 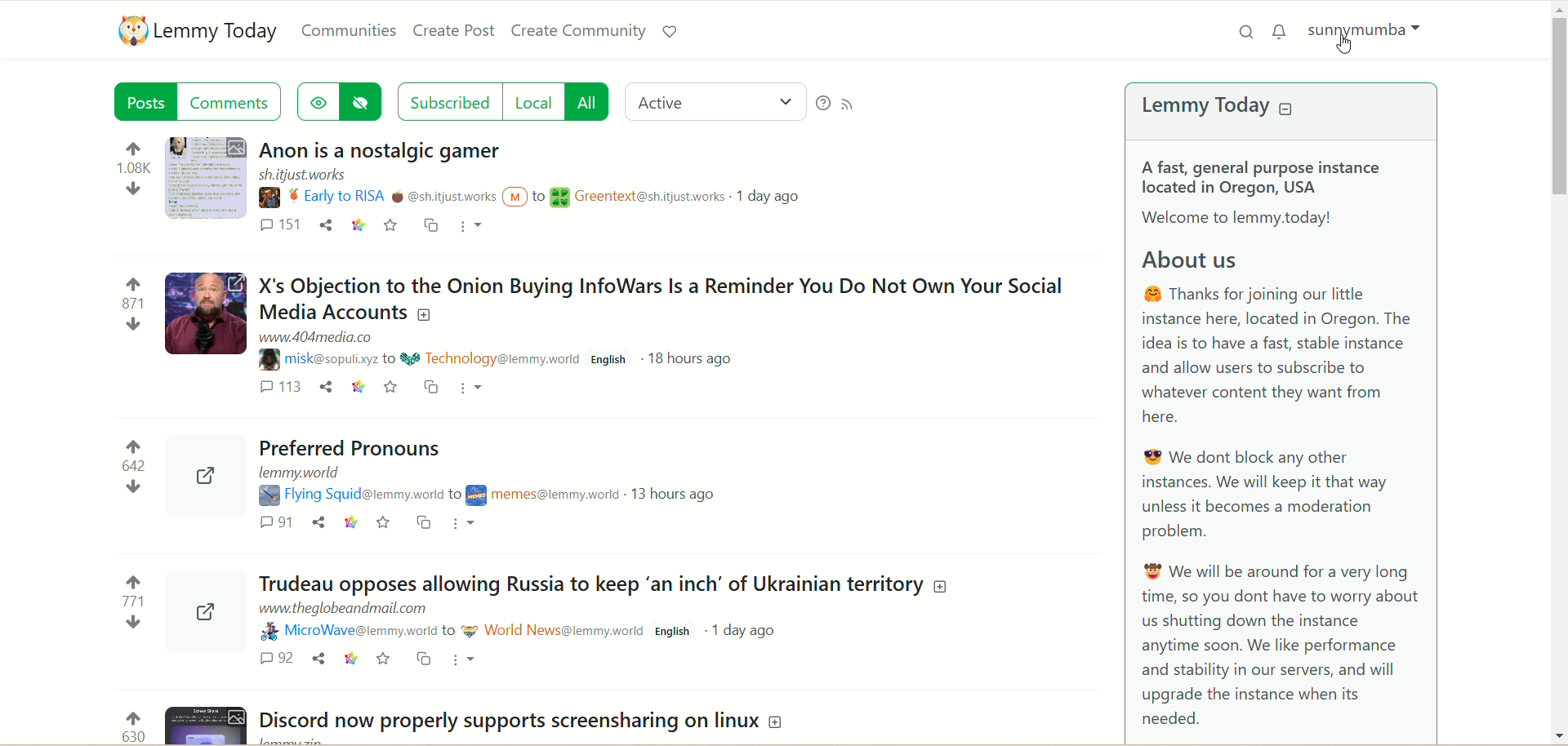 I want to click on Favorite, so click(x=385, y=660).